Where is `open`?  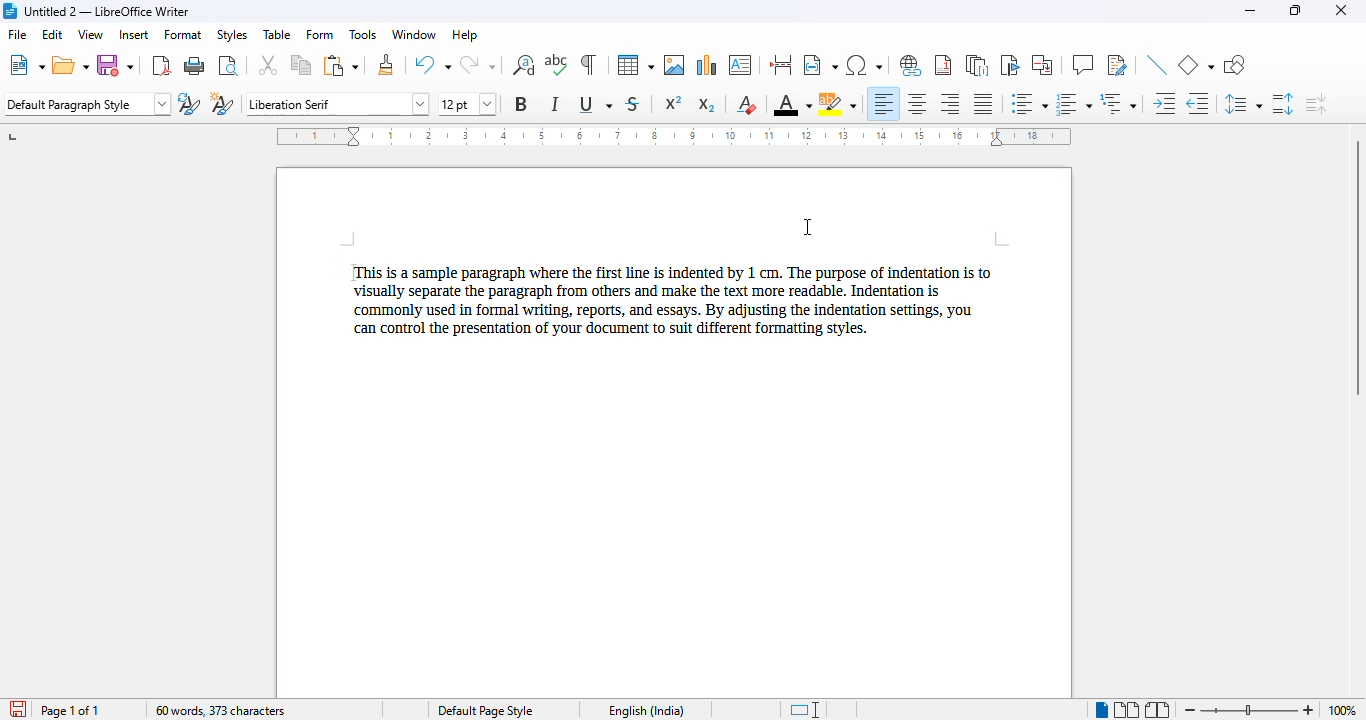 open is located at coordinates (71, 66).